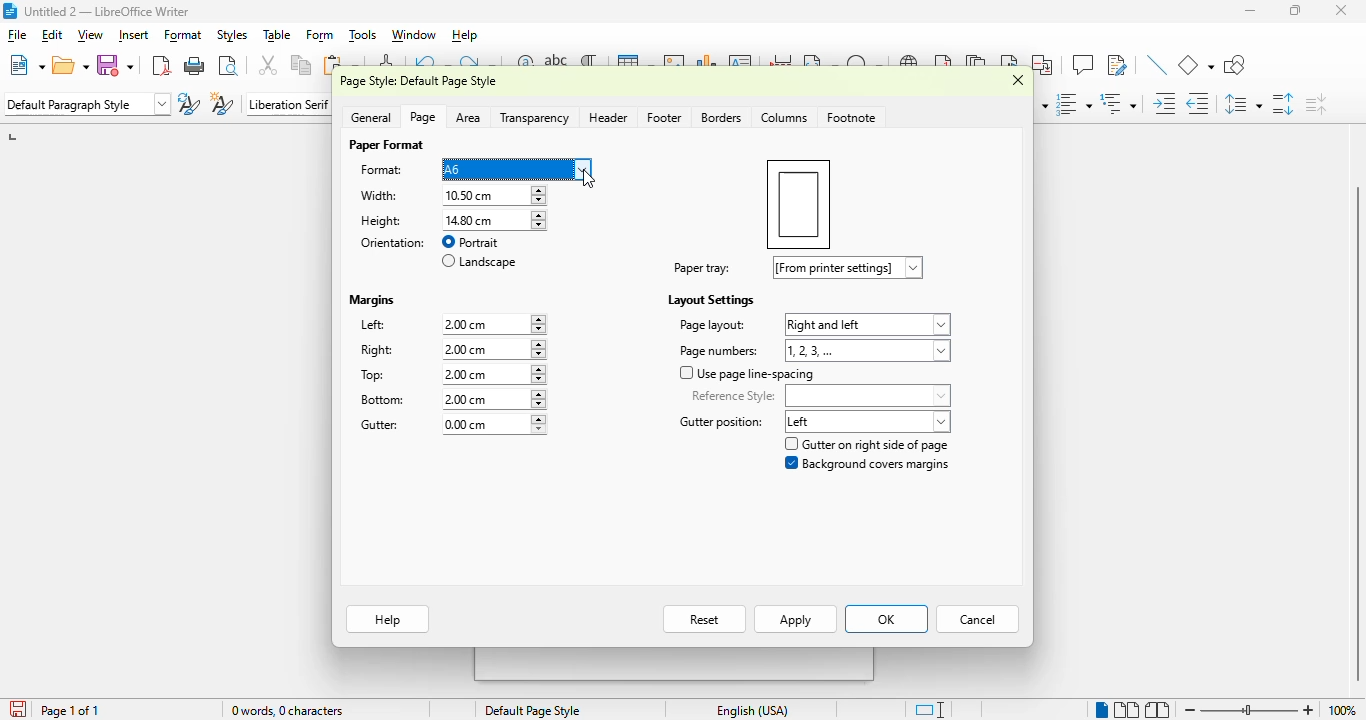  What do you see at coordinates (470, 118) in the screenshot?
I see `area` at bounding box center [470, 118].